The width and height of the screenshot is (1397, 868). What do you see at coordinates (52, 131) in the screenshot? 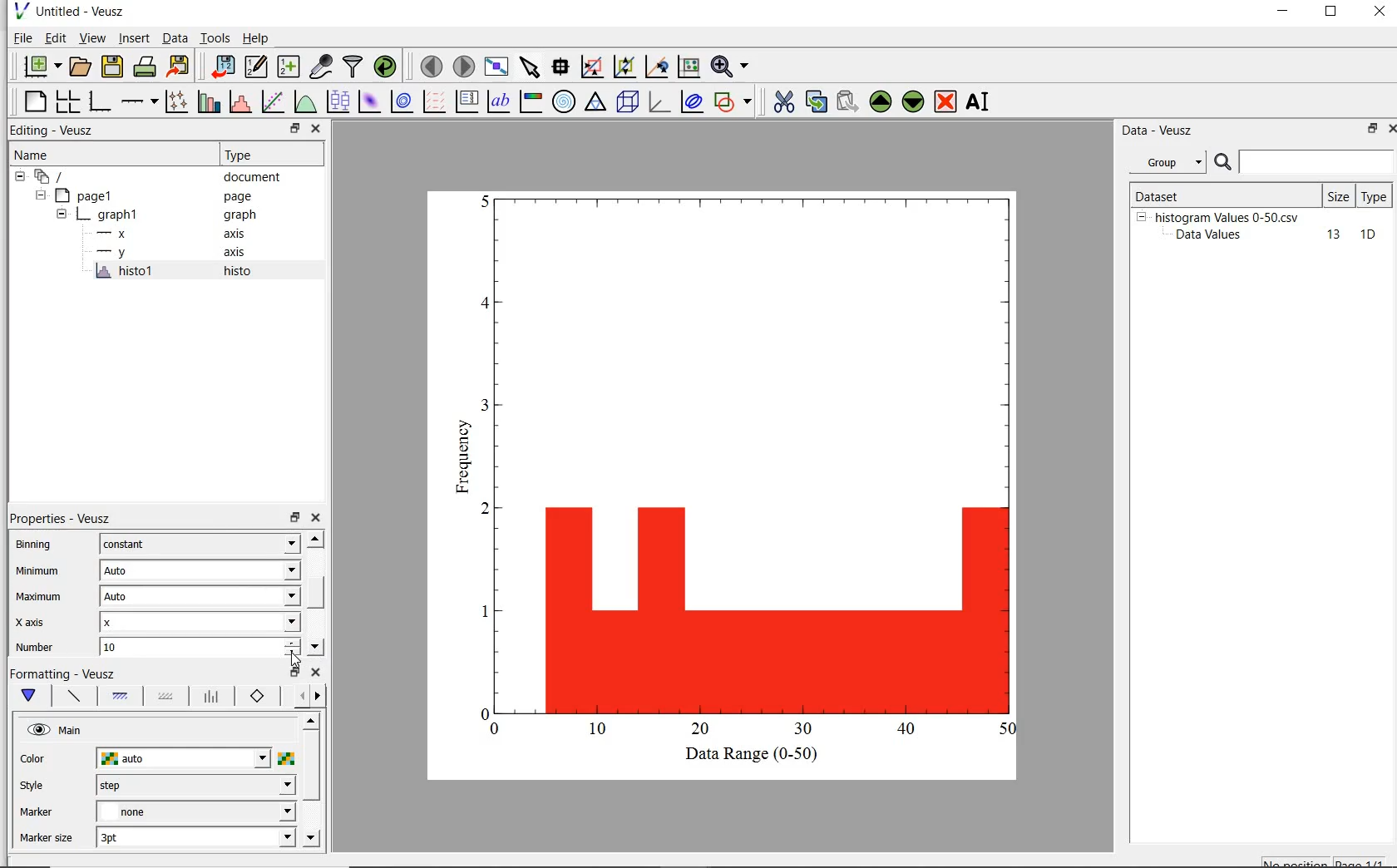
I see `editing-veusz` at bounding box center [52, 131].